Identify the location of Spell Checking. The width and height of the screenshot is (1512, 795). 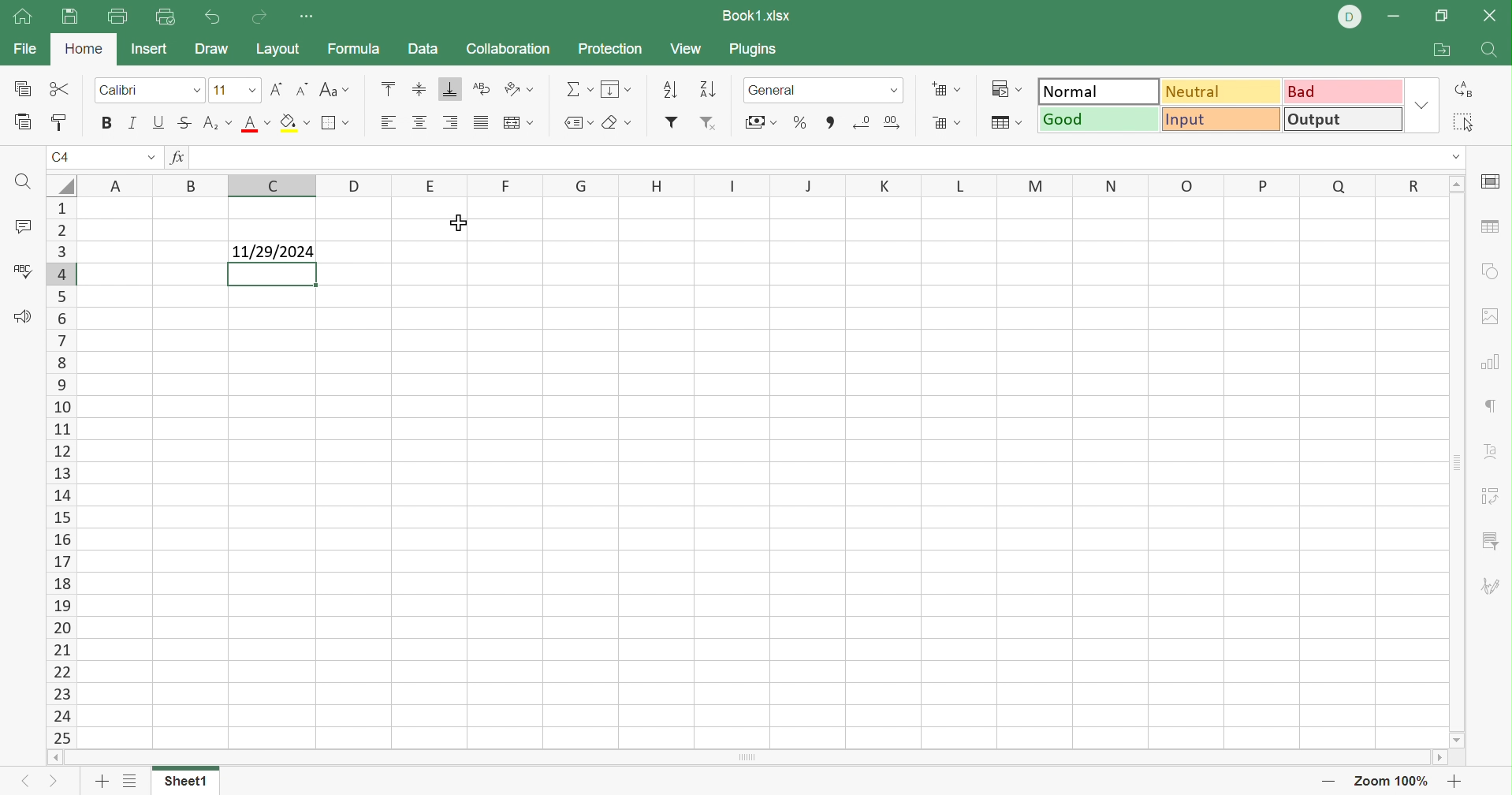
(24, 274).